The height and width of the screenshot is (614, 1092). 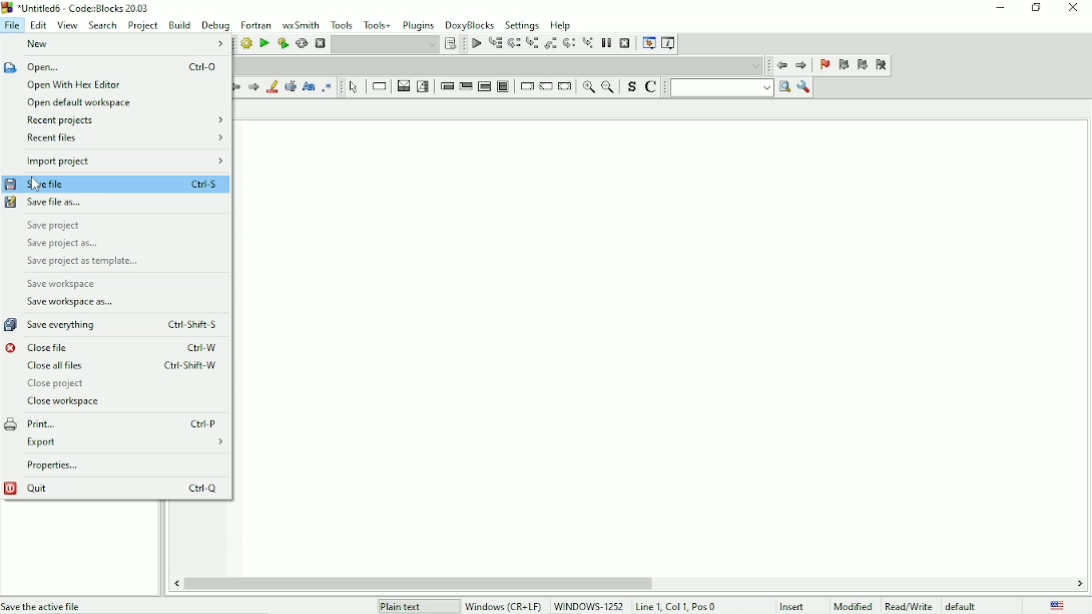 I want to click on Build and run, so click(x=282, y=43).